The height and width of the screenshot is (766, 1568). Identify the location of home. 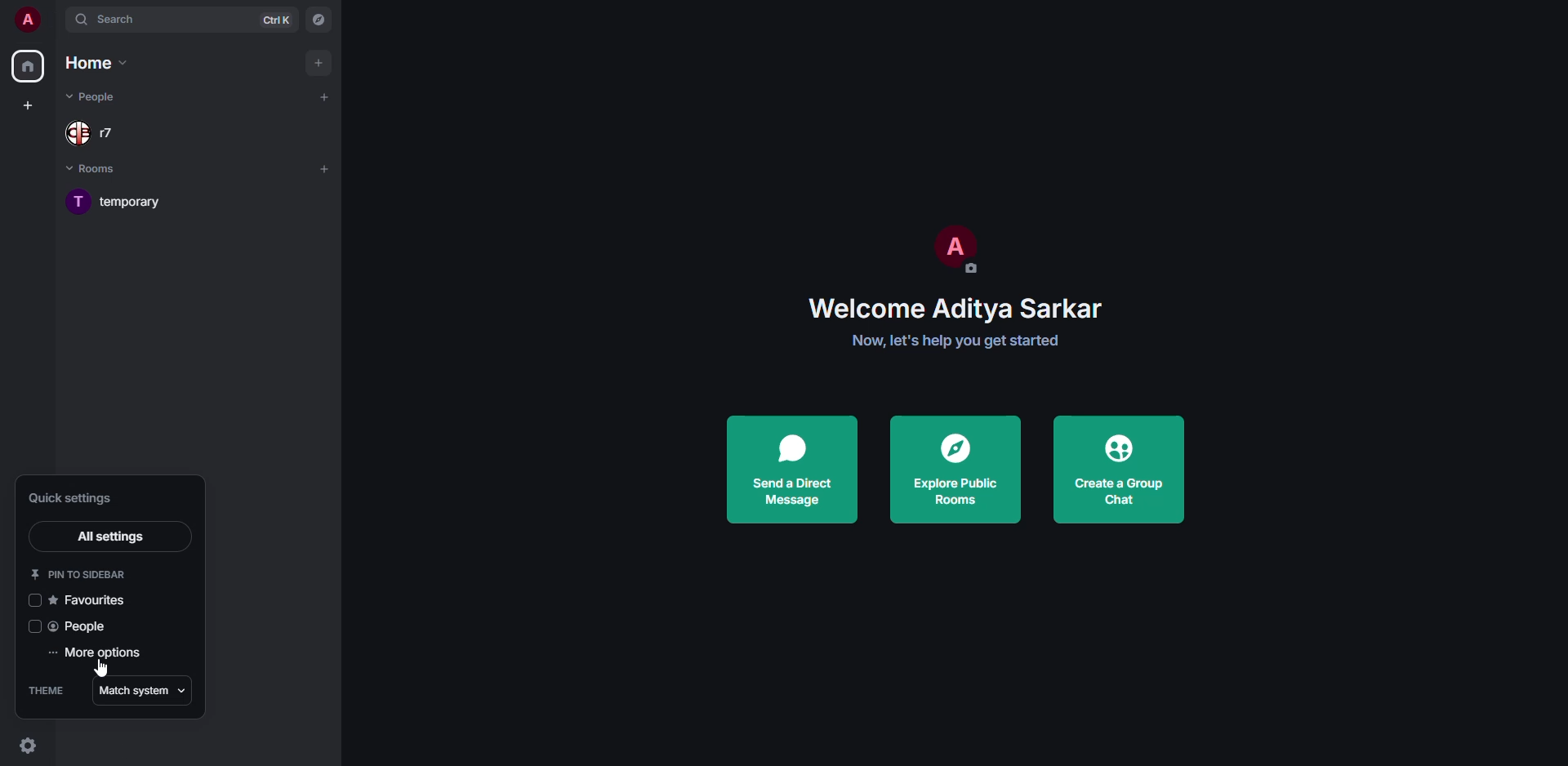
(99, 62).